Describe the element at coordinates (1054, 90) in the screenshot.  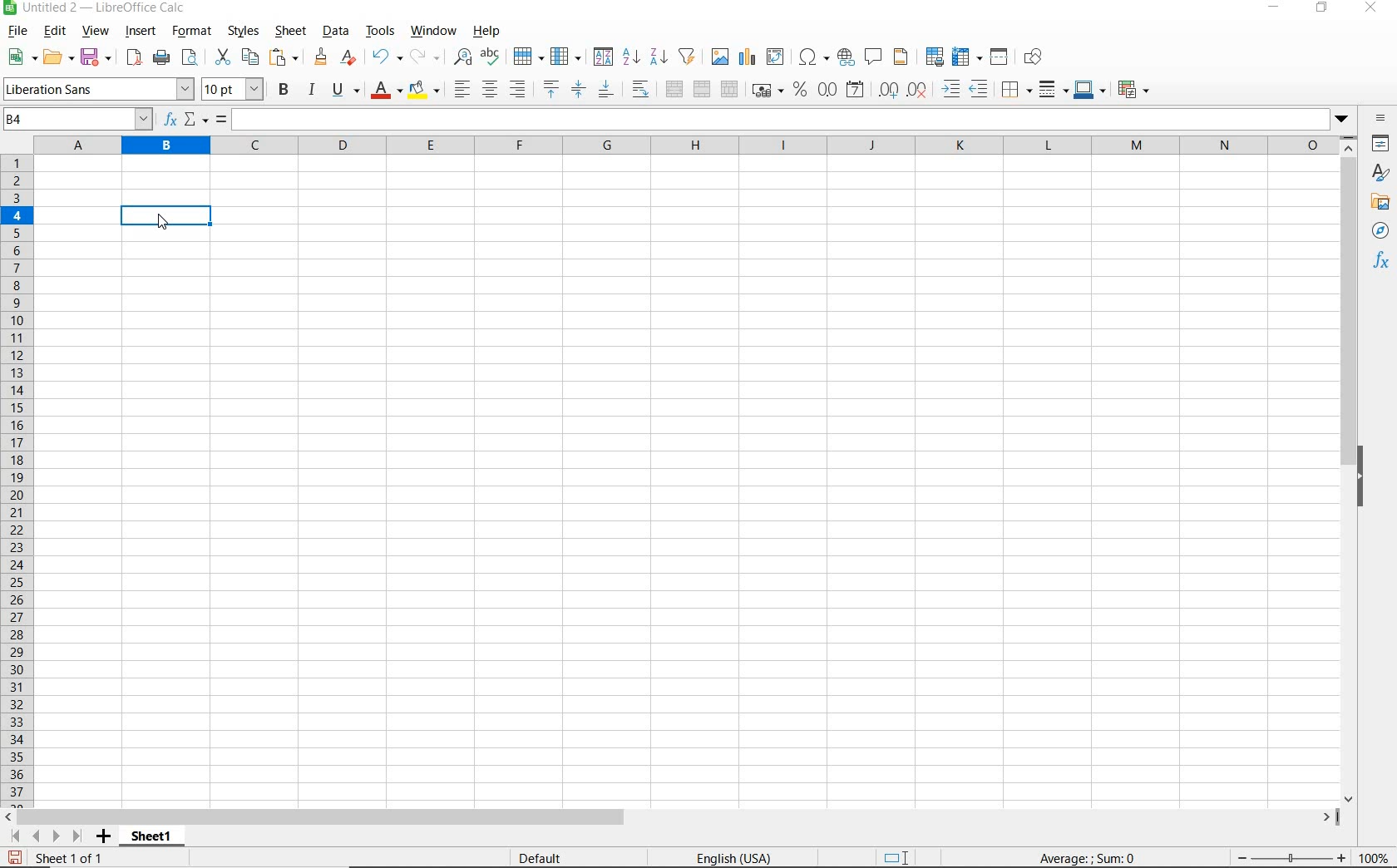
I see `border style` at that location.